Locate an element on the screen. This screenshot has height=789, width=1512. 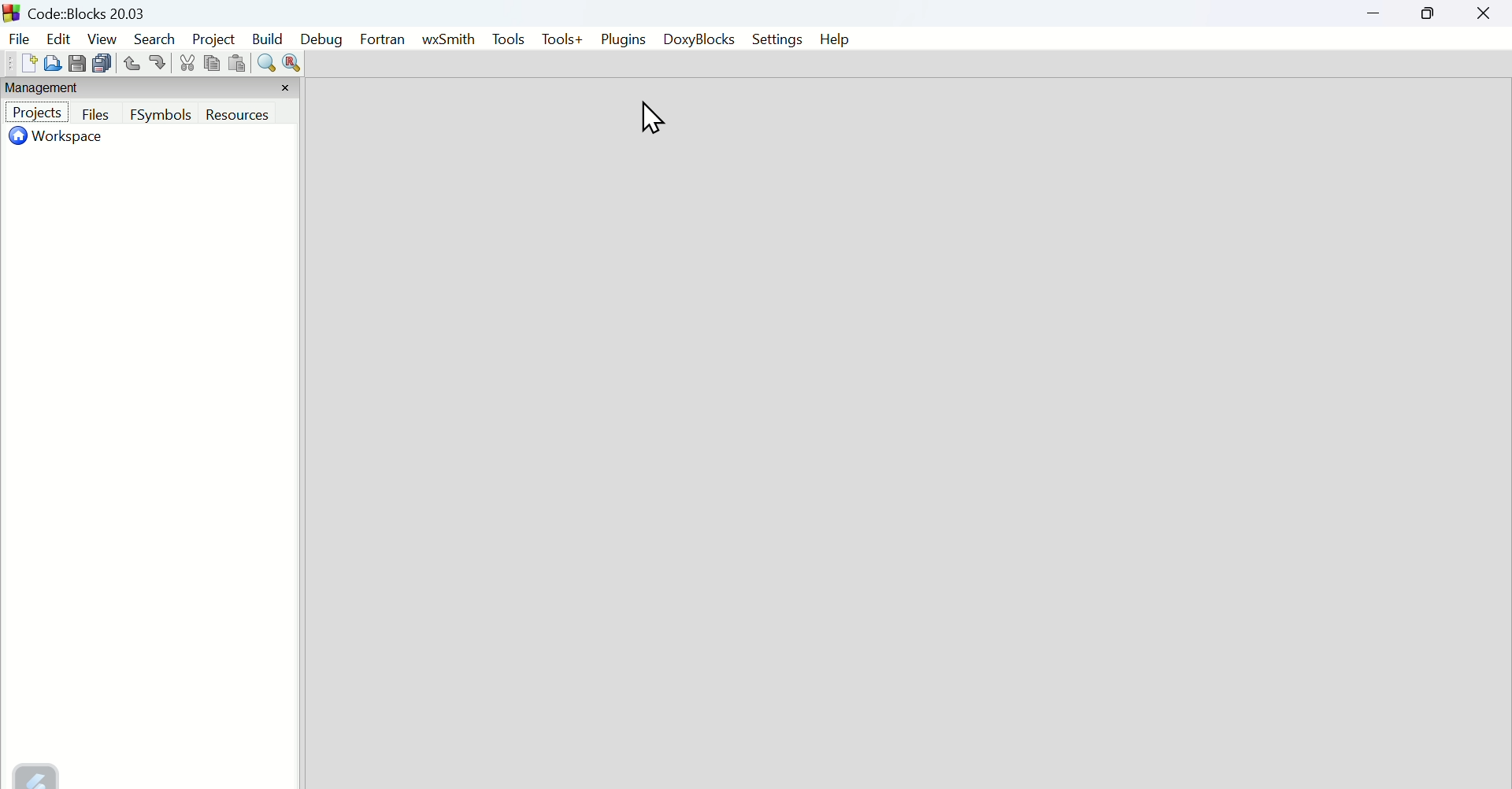
Open file is located at coordinates (53, 63).